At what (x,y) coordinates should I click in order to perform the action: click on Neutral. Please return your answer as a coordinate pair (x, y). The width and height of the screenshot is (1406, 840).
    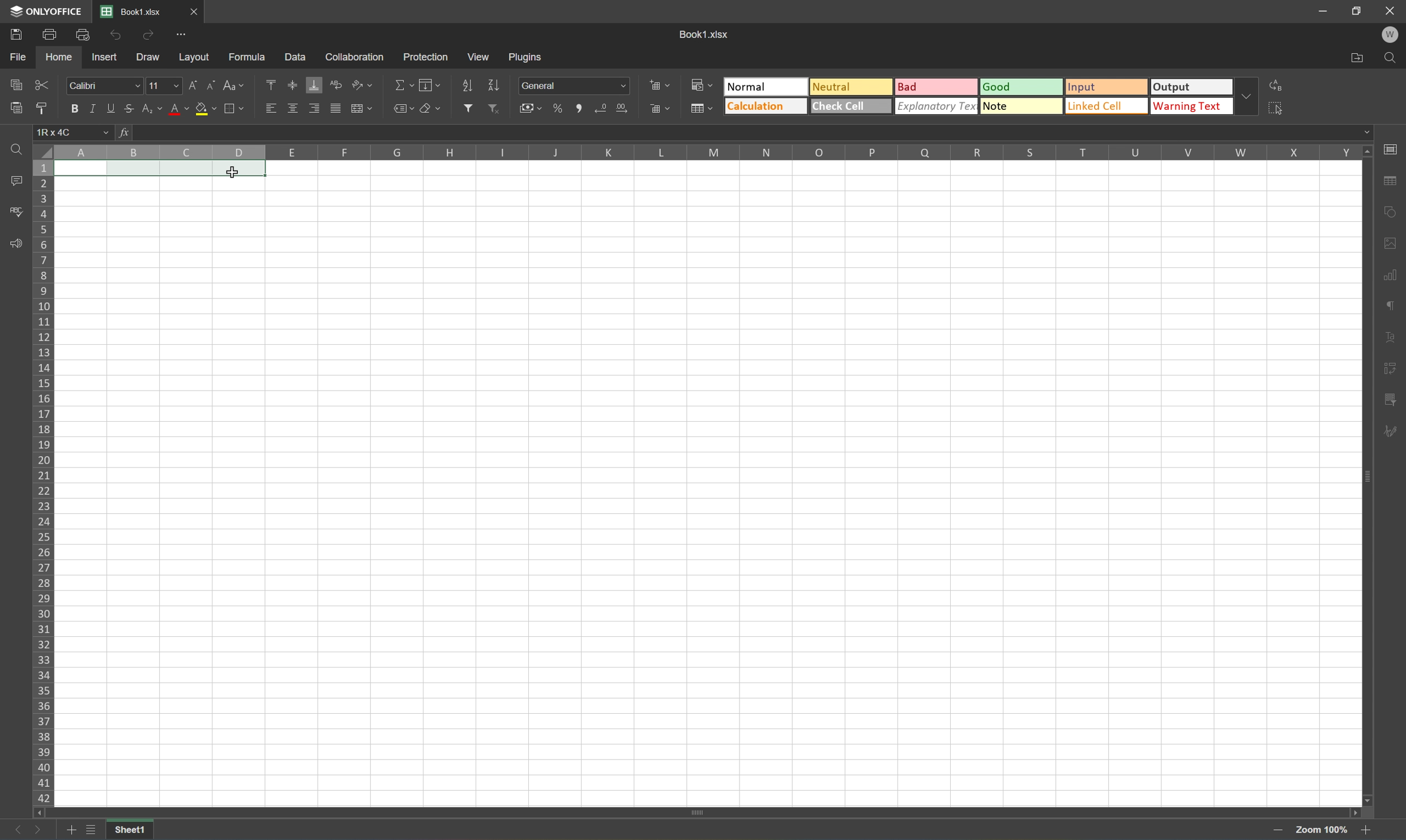
    Looking at the image, I should click on (848, 85).